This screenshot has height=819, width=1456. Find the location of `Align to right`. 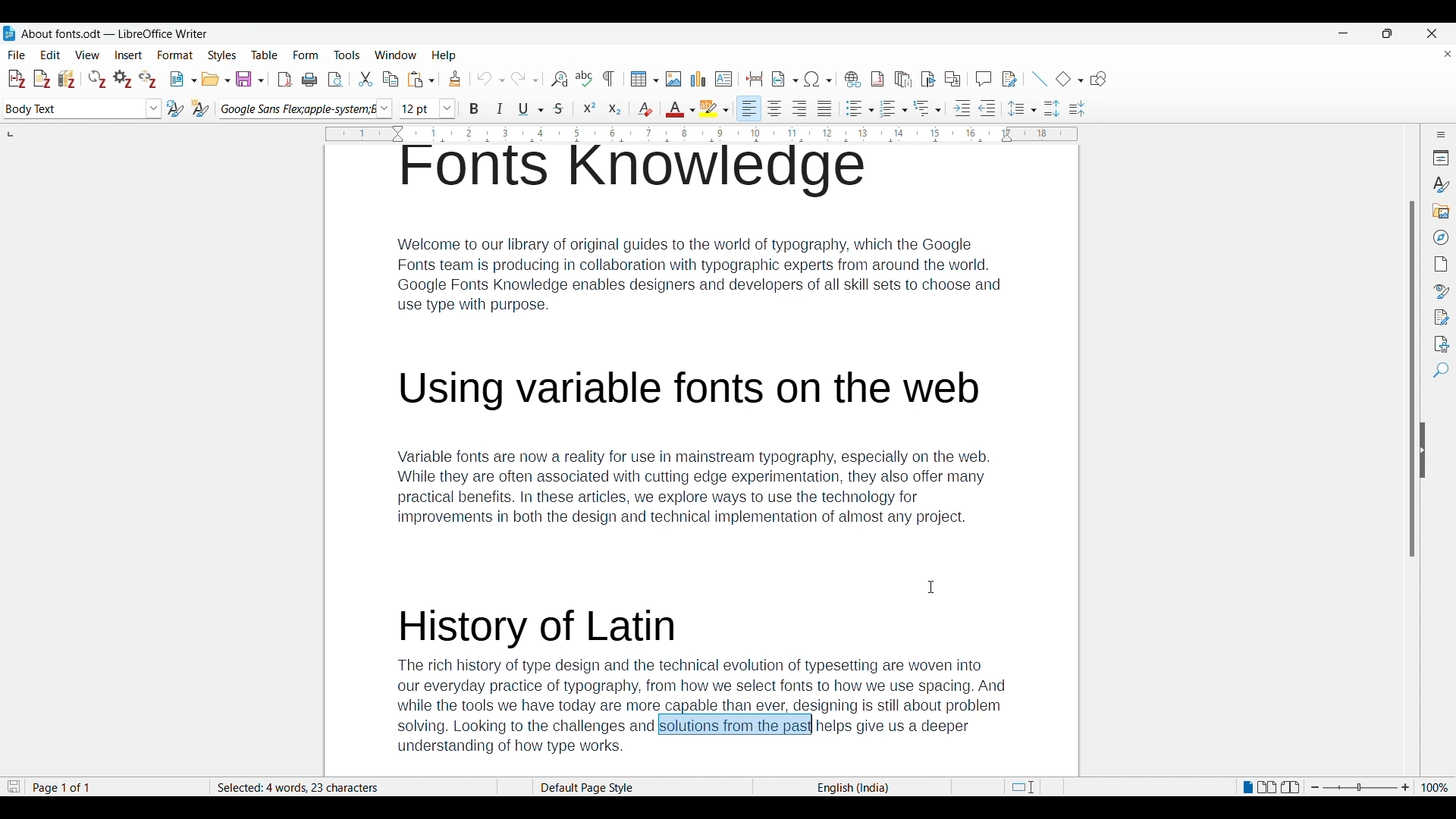

Align to right is located at coordinates (800, 108).